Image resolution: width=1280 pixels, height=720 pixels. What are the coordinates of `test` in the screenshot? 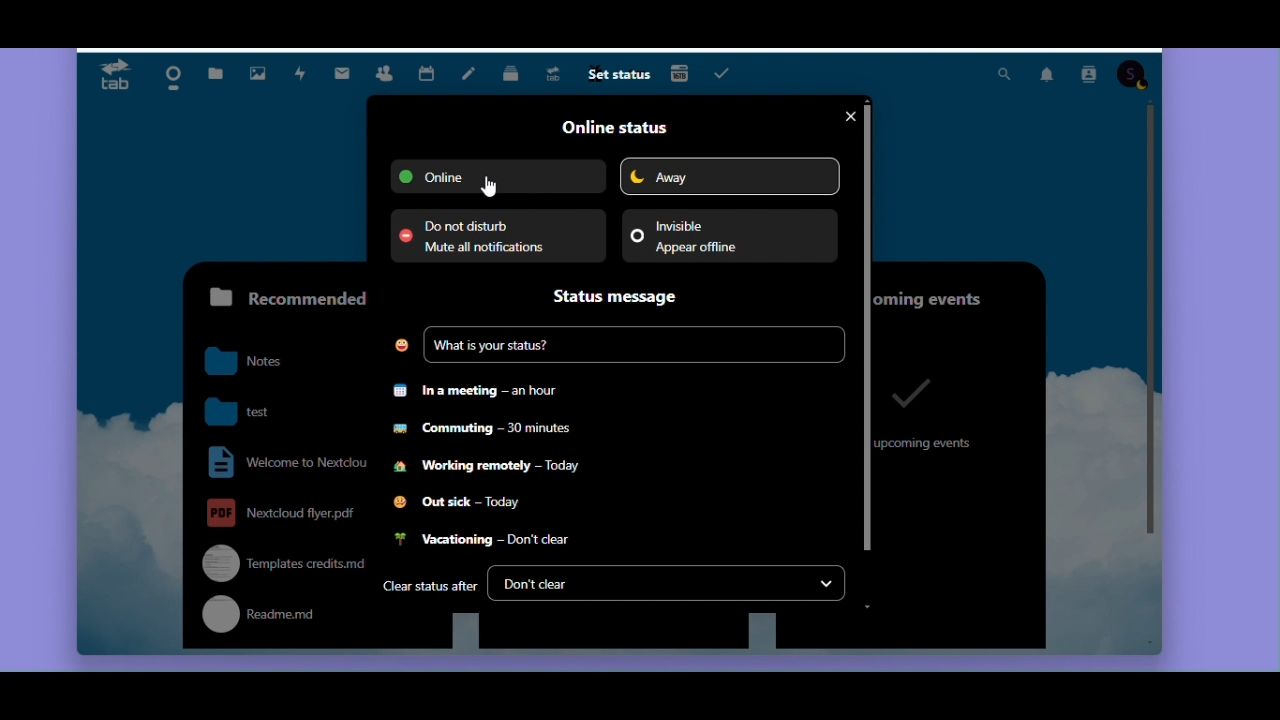 It's located at (259, 409).